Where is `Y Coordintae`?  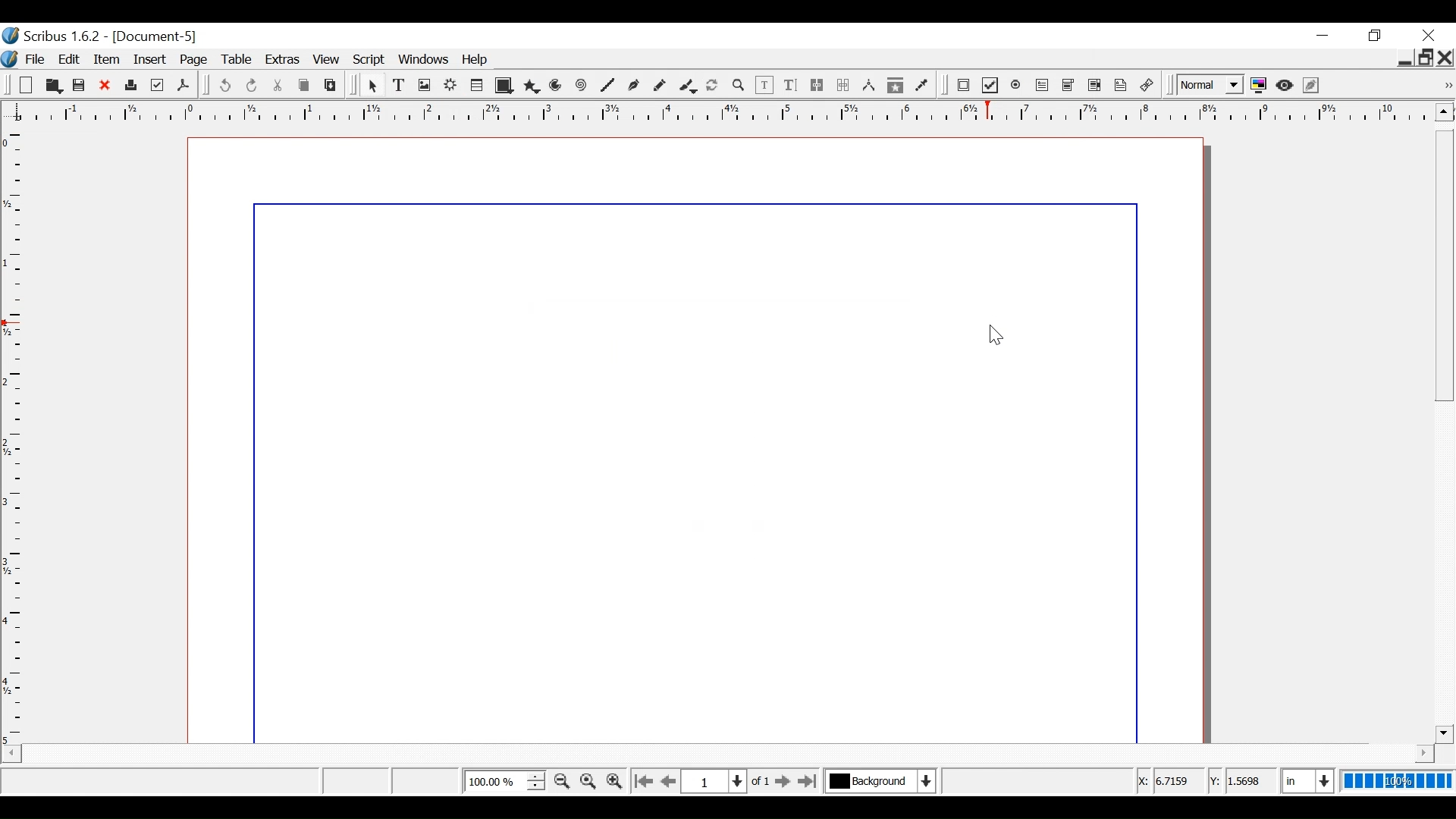
Y Coordintae is located at coordinates (1241, 782).